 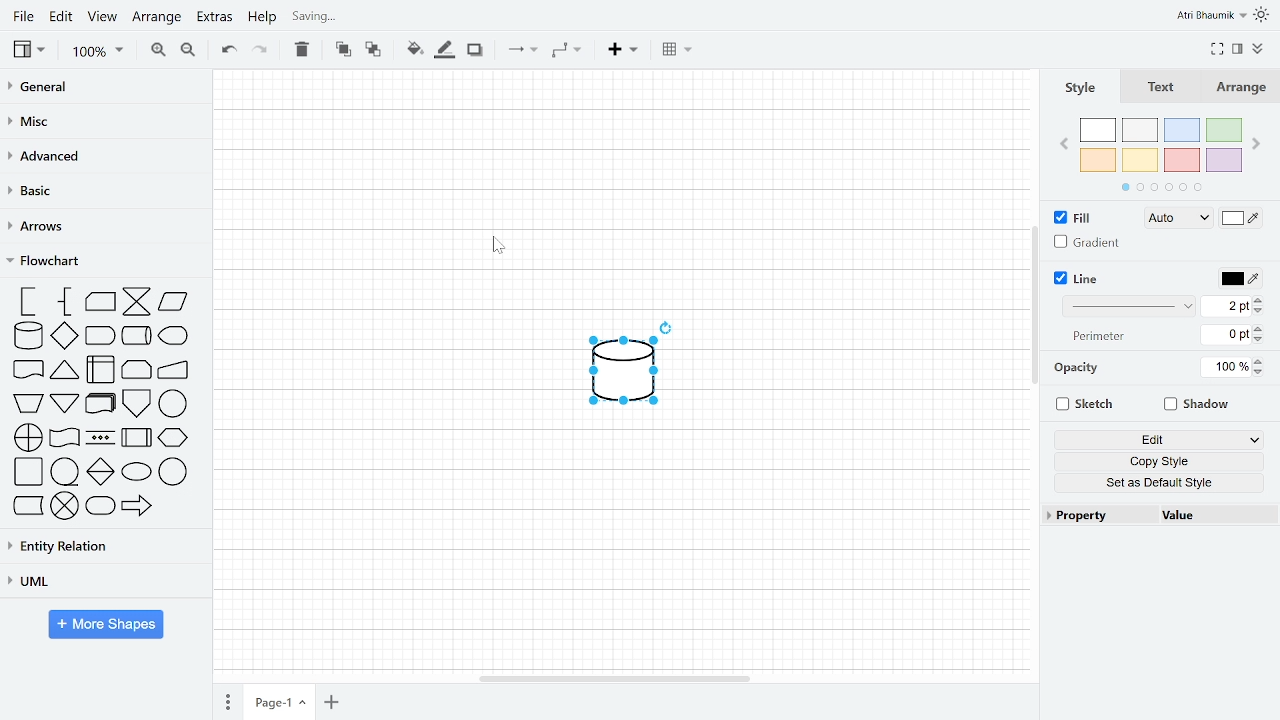 What do you see at coordinates (230, 700) in the screenshot?
I see `pages` at bounding box center [230, 700].